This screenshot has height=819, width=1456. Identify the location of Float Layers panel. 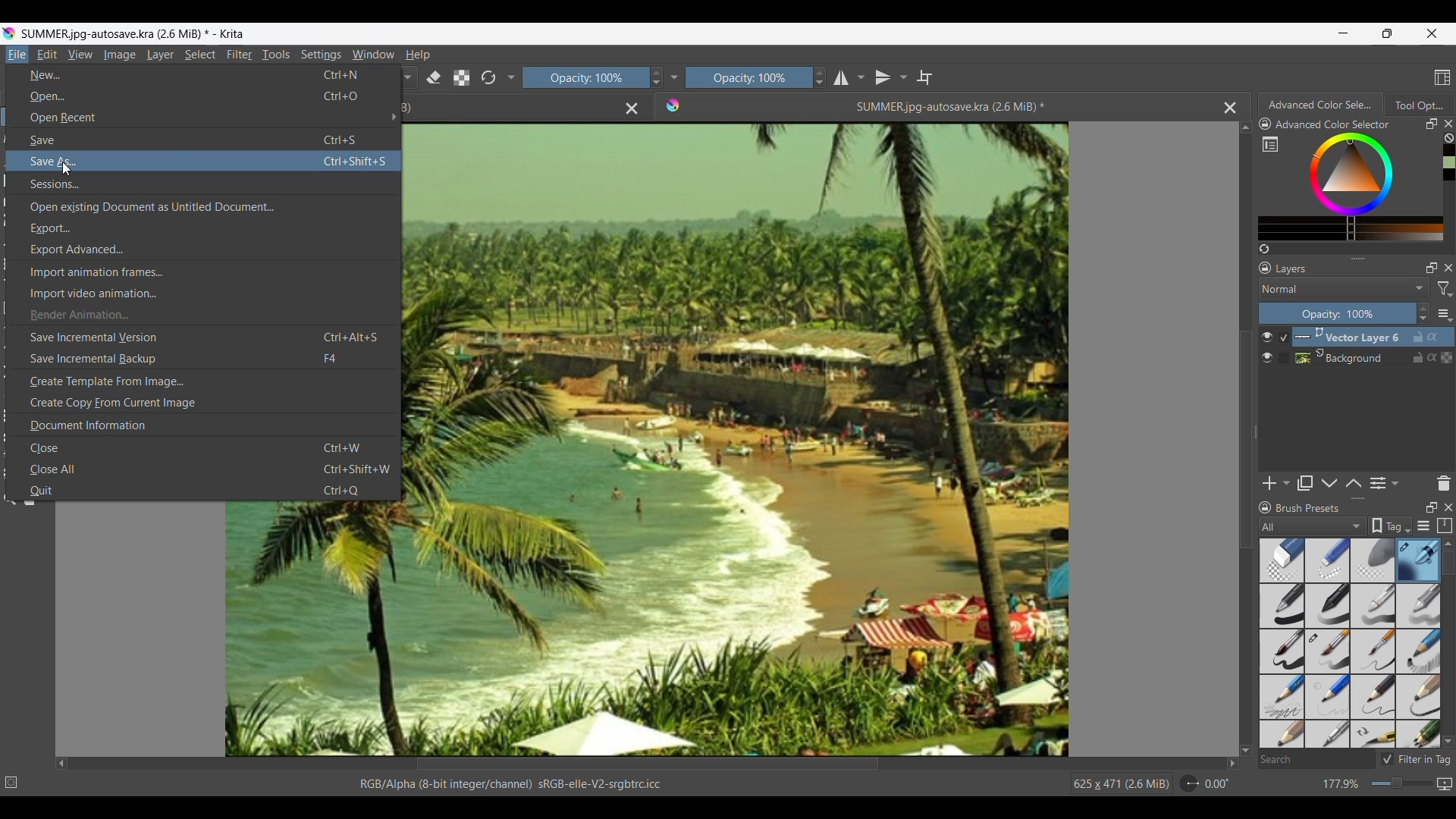
(1432, 268).